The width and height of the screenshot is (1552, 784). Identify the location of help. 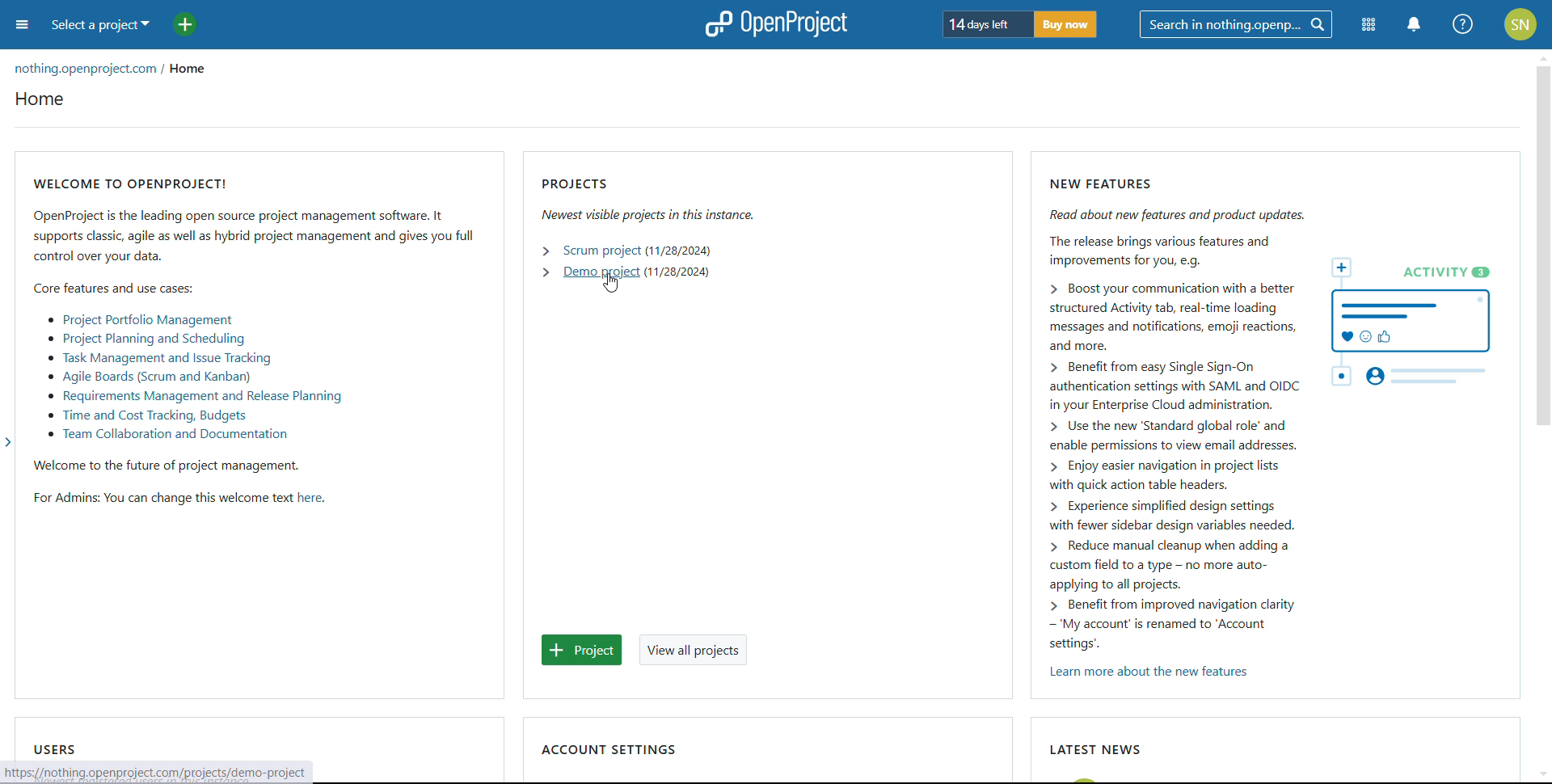
(1462, 24).